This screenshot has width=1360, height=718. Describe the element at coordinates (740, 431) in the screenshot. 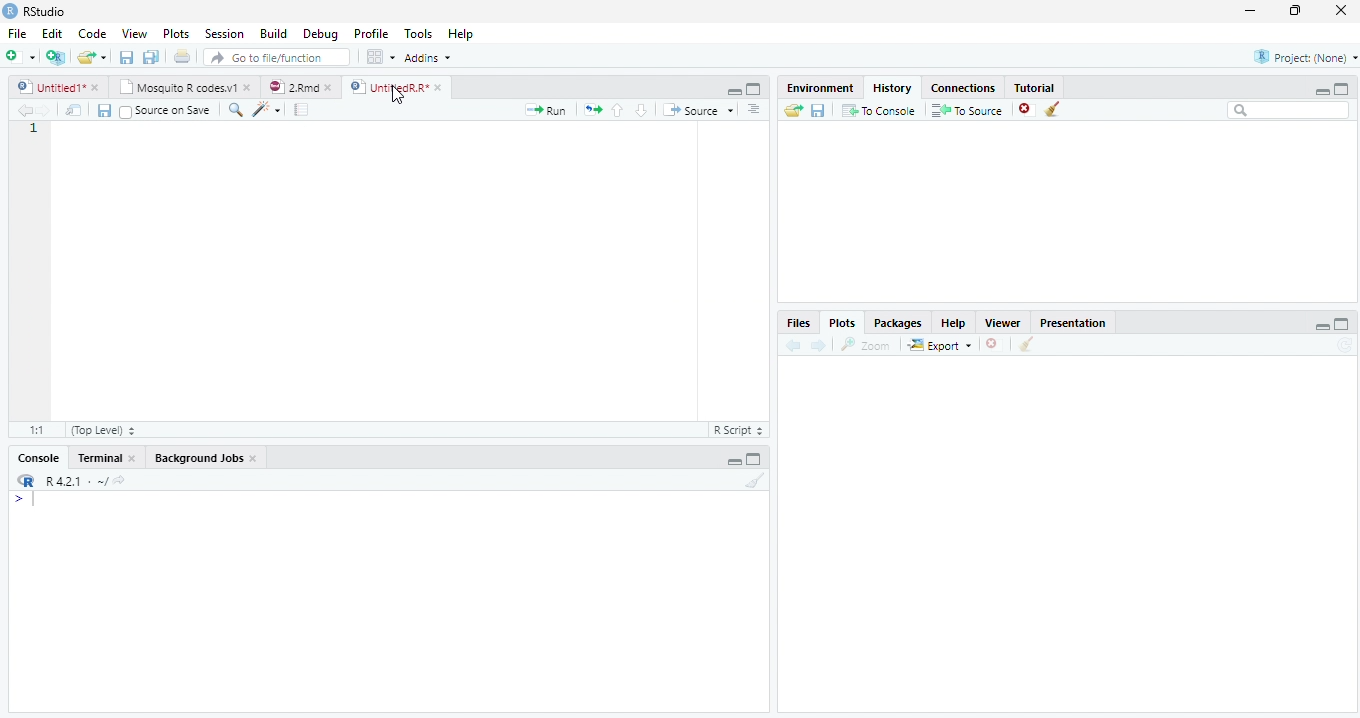

I see `R Script` at that location.